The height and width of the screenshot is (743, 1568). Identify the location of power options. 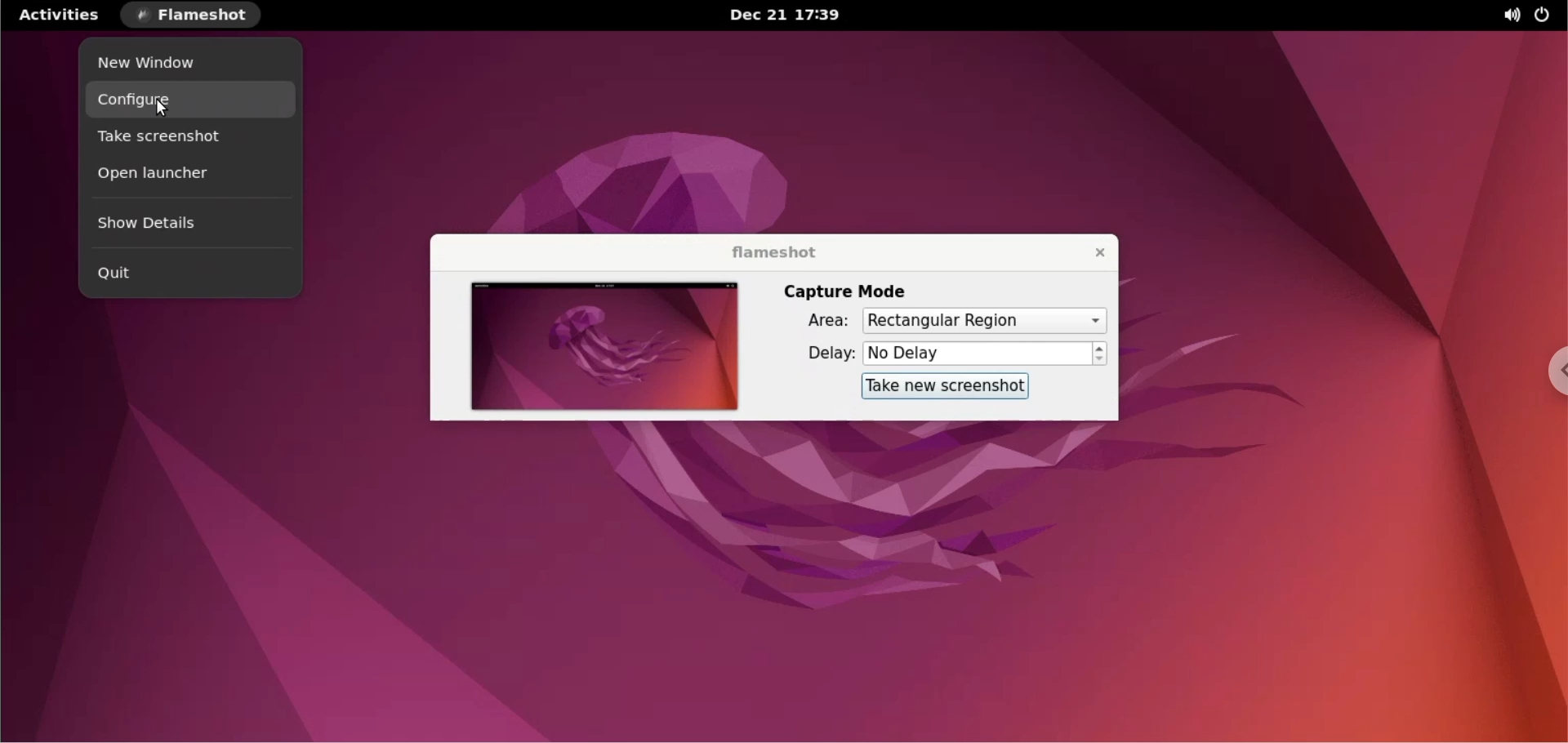
(1545, 16).